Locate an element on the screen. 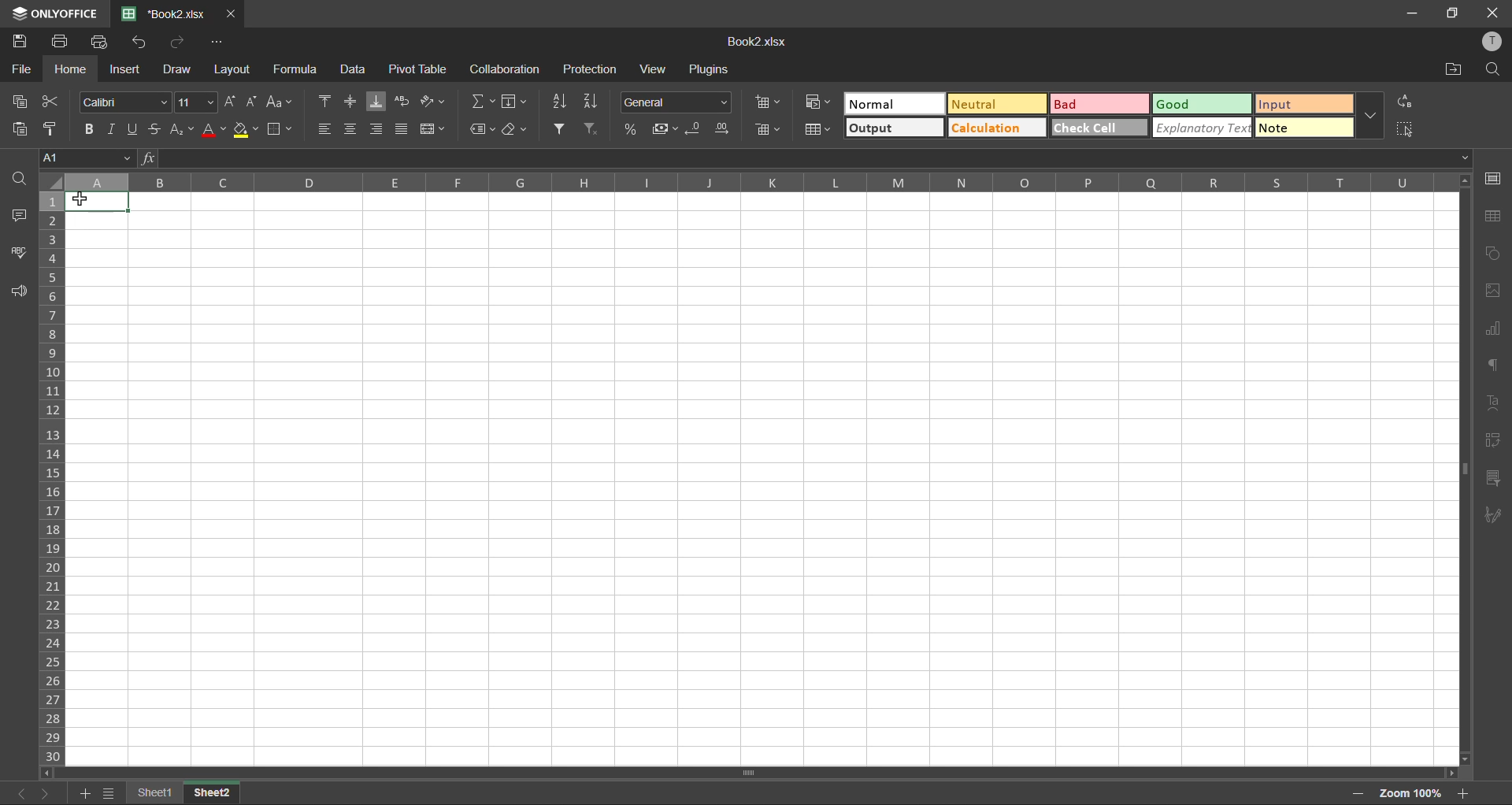 The width and height of the screenshot is (1512, 805). zoom in  is located at coordinates (1465, 793).